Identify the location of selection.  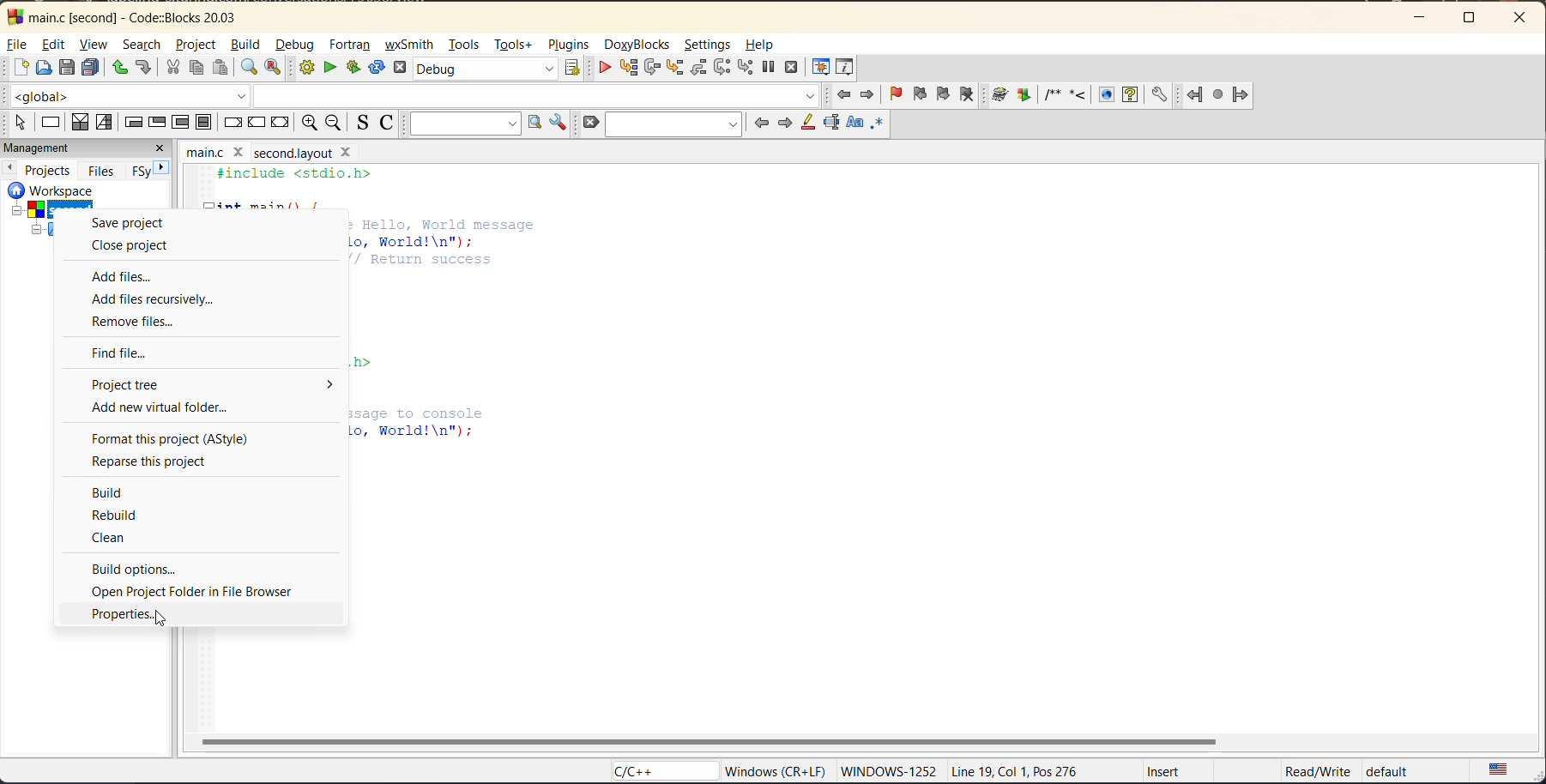
(105, 122).